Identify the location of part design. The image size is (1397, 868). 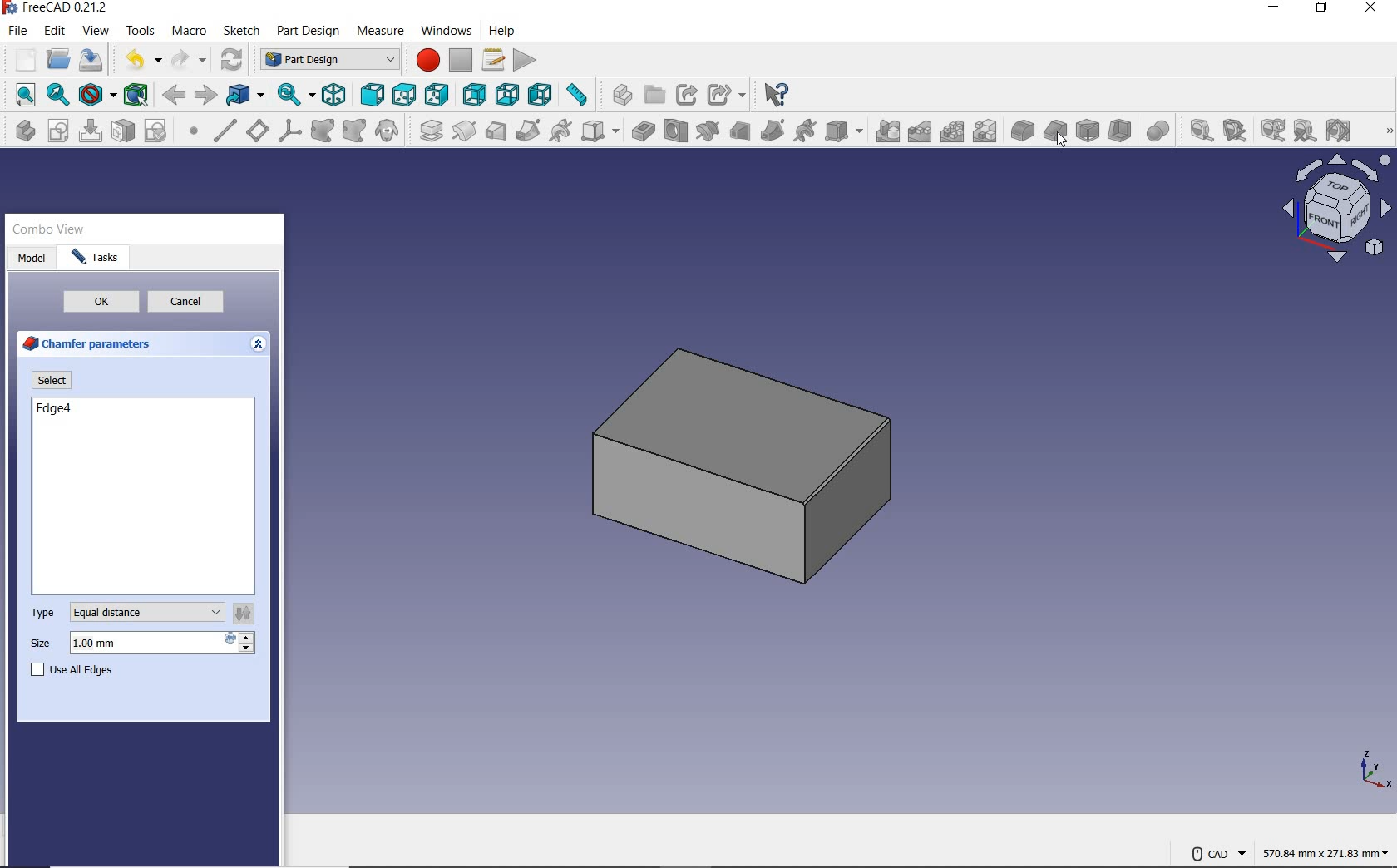
(309, 32).